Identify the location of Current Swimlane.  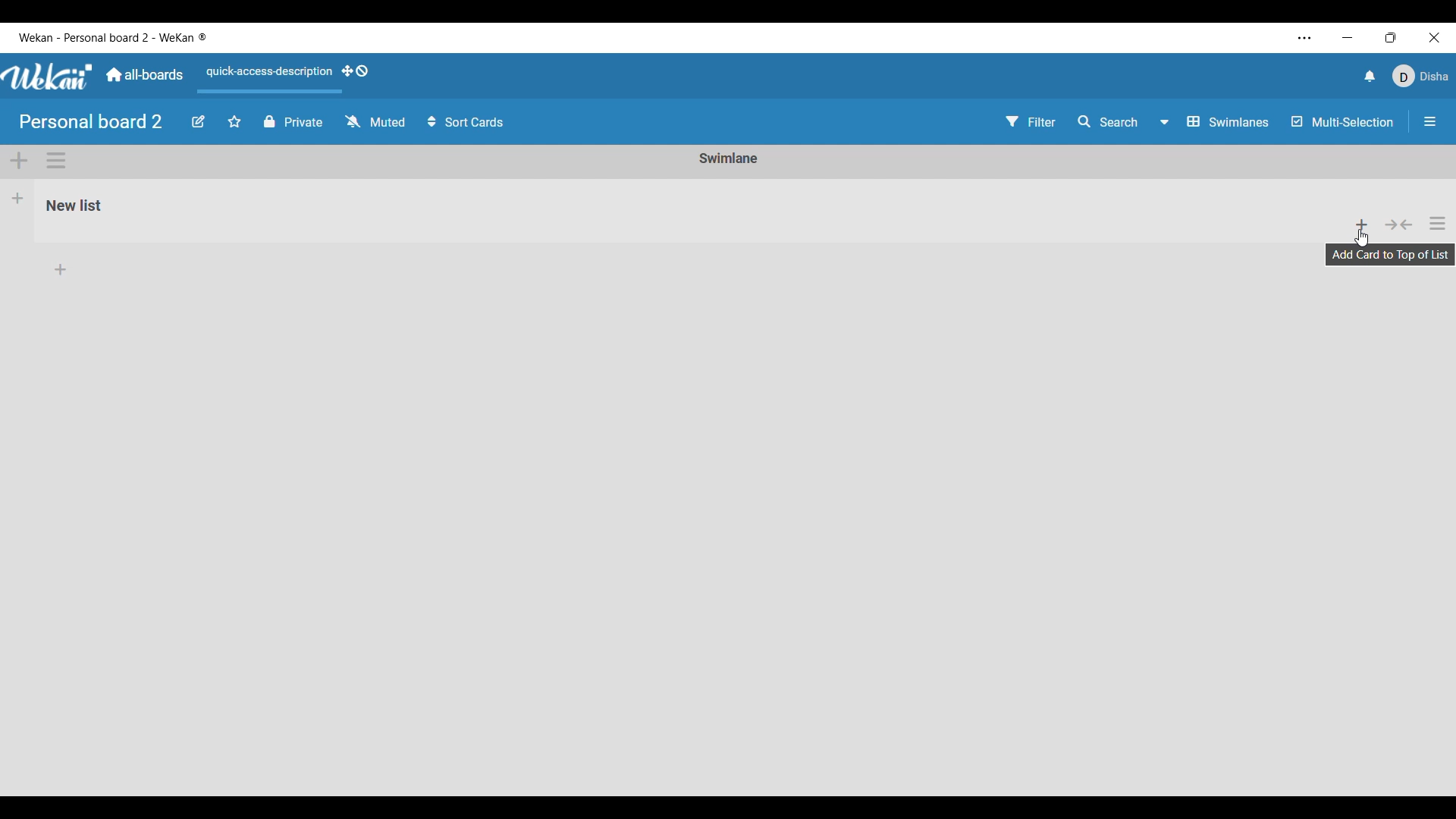
(729, 158).